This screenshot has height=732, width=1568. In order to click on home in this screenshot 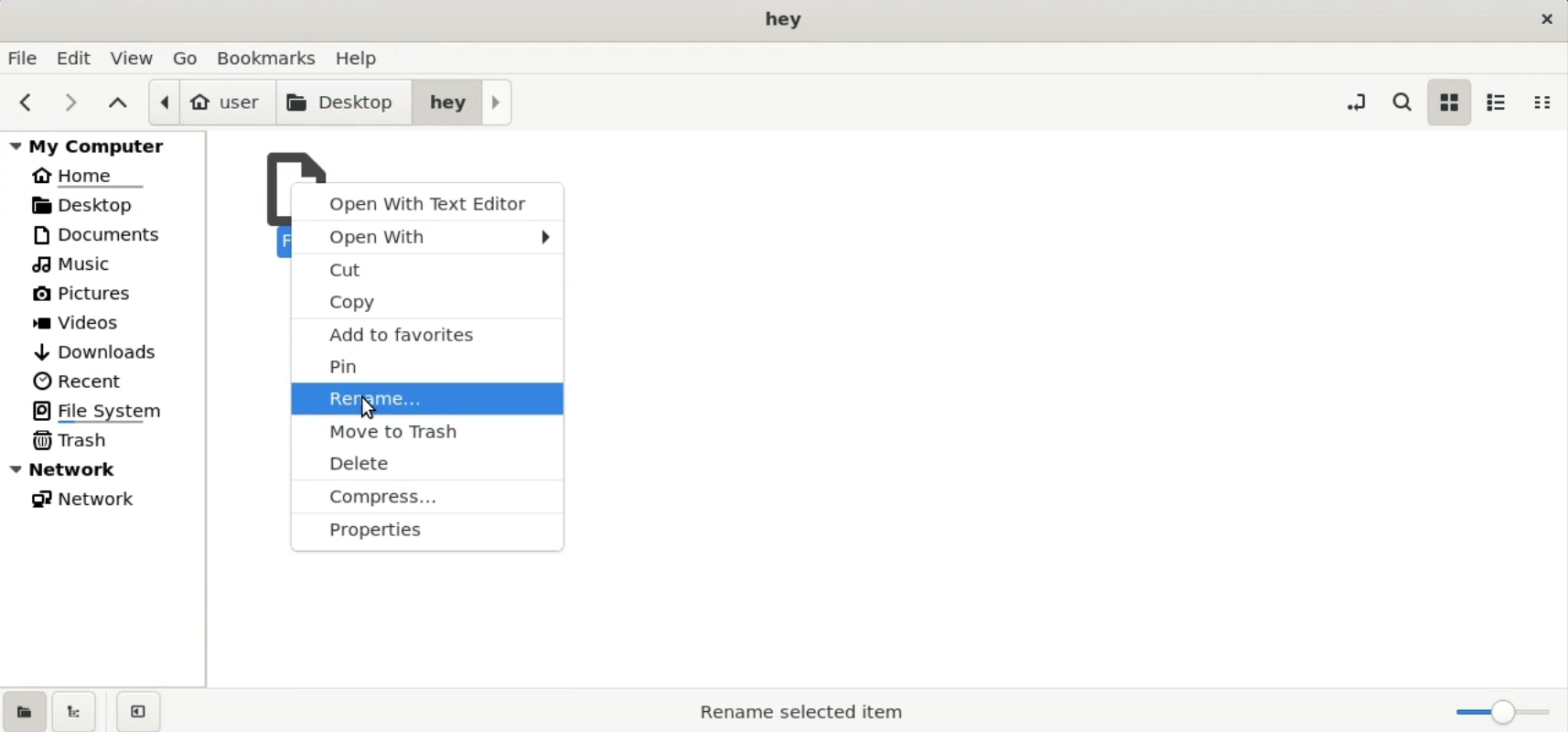, I will do `click(91, 174)`.